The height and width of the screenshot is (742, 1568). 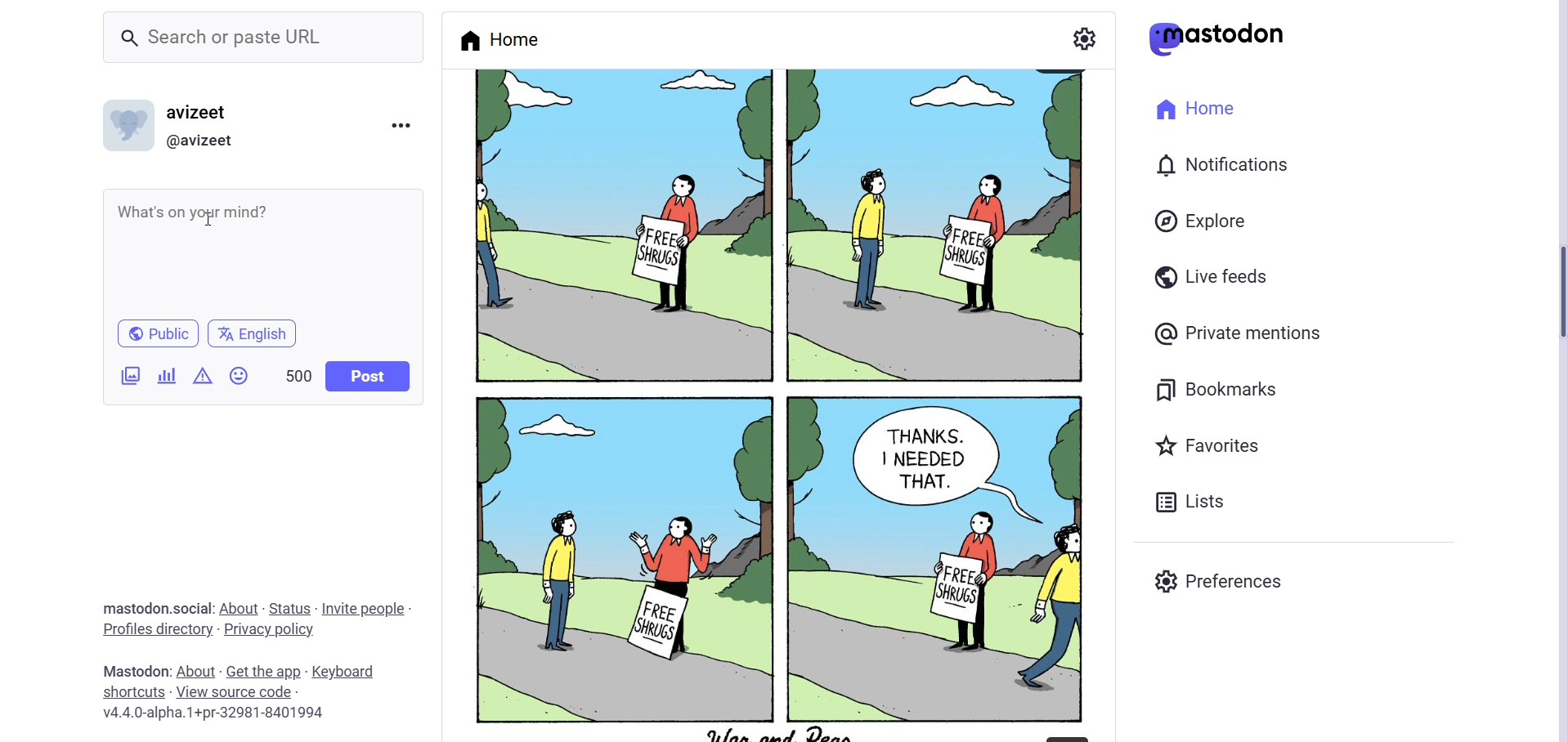 What do you see at coordinates (190, 208) in the screenshot?
I see `Whats on your mind` at bounding box center [190, 208].